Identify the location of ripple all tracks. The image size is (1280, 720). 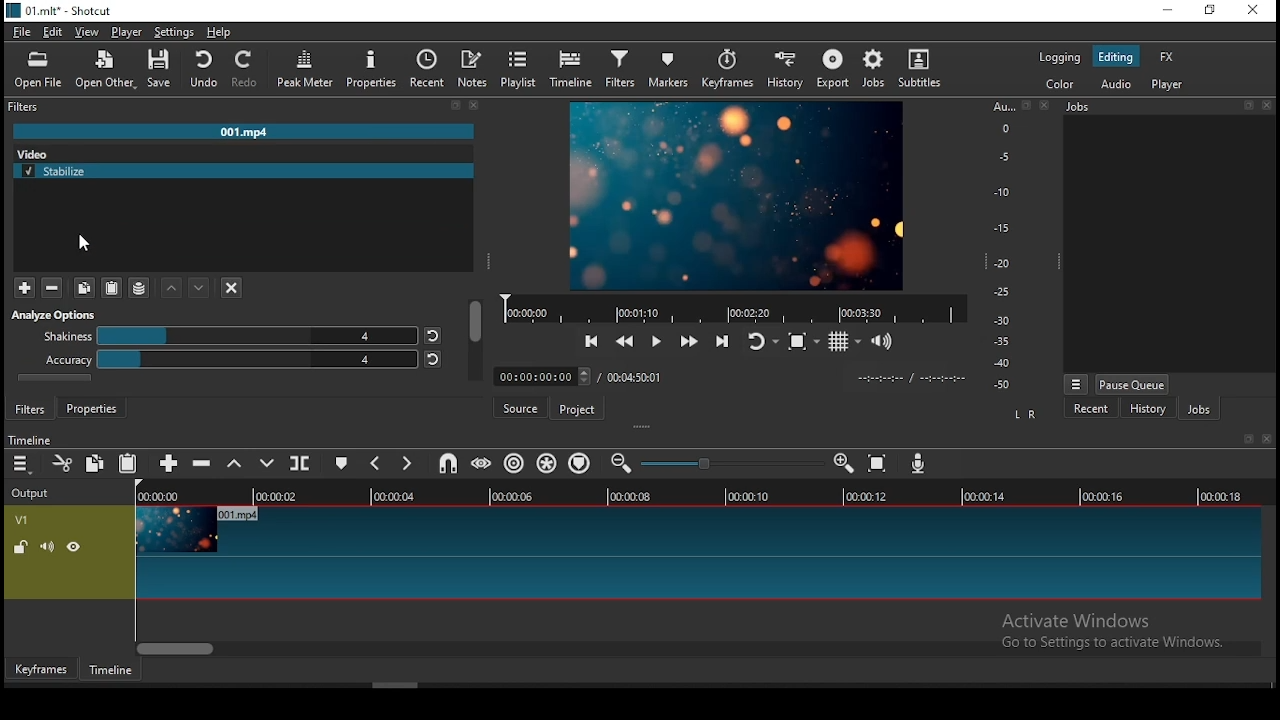
(549, 465).